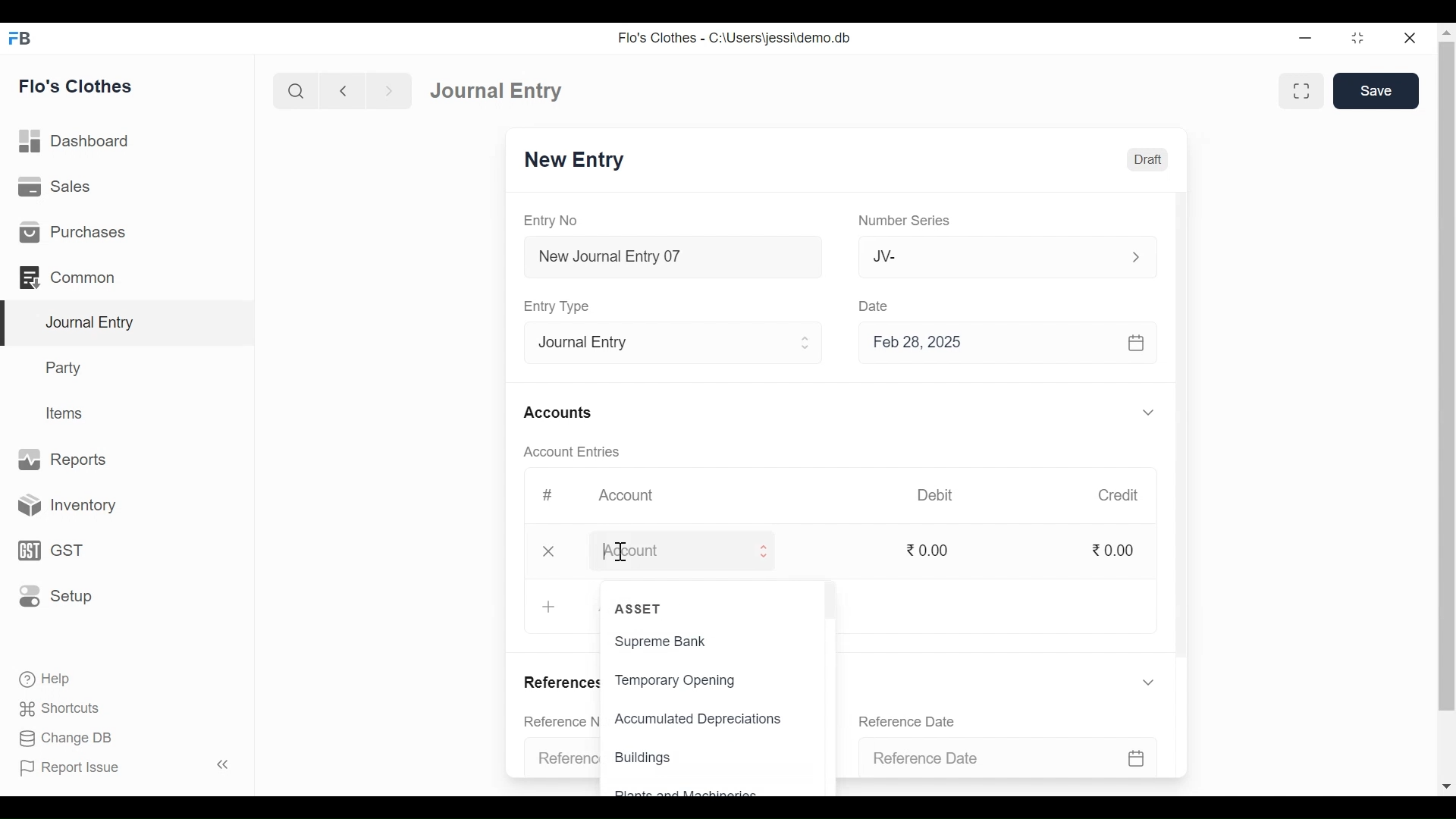 This screenshot has height=819, width=1456. I want to click on Account, so click(635, 493).